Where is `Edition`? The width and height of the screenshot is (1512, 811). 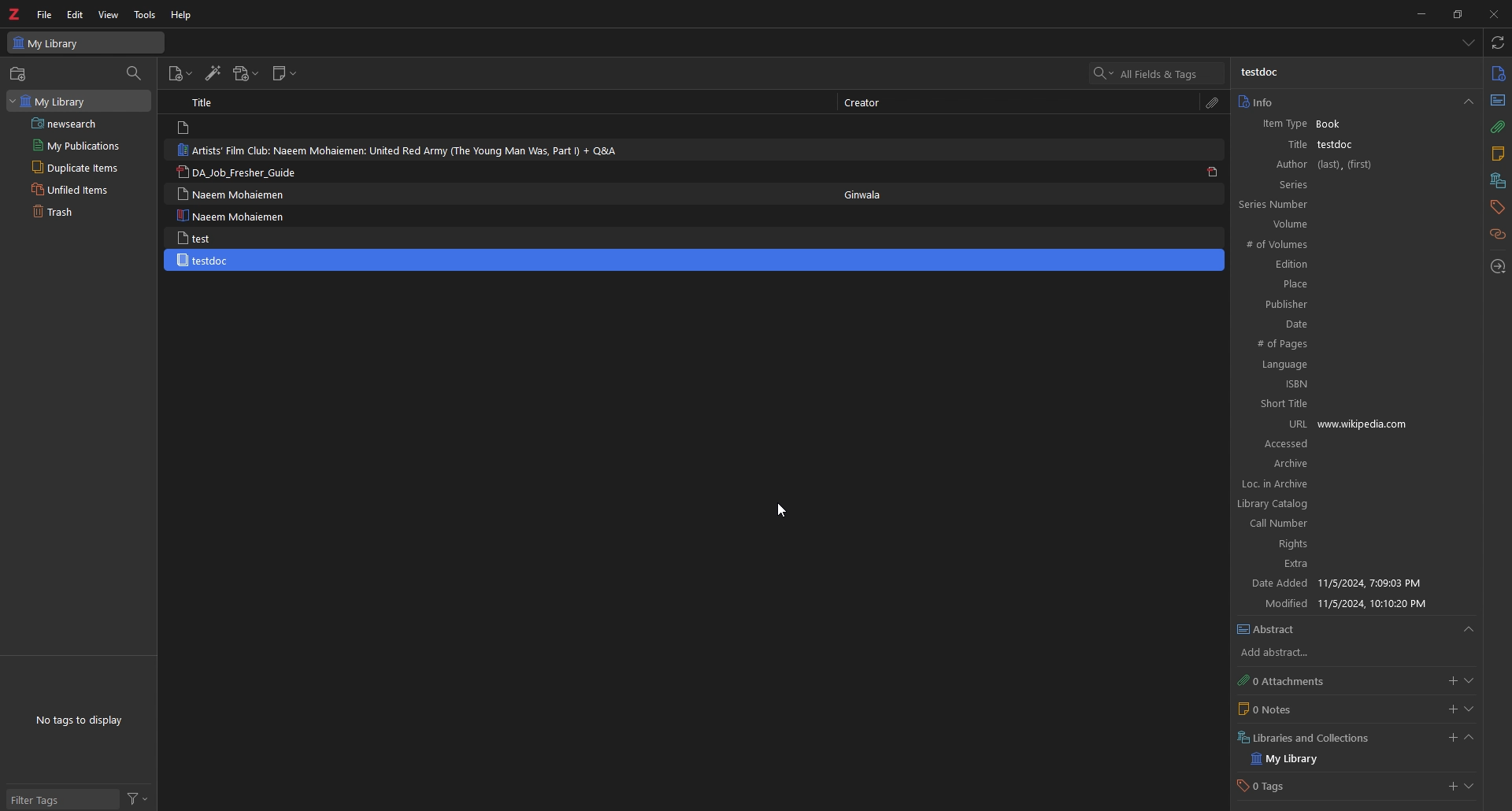 Edition is located at coordinates (1326, 265).